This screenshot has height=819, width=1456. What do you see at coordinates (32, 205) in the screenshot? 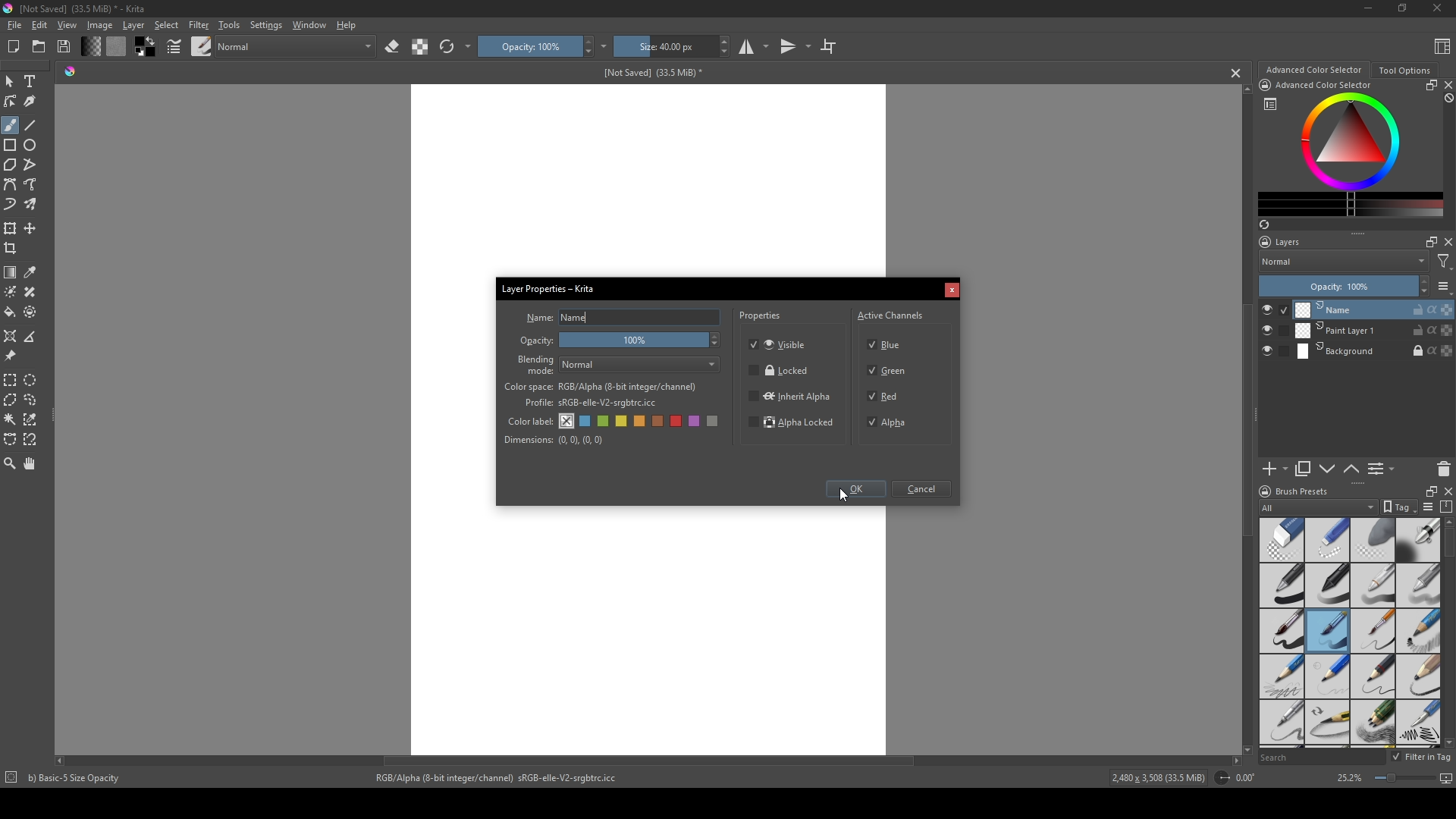
I see `multibrush` at bounding box center [32, 205].